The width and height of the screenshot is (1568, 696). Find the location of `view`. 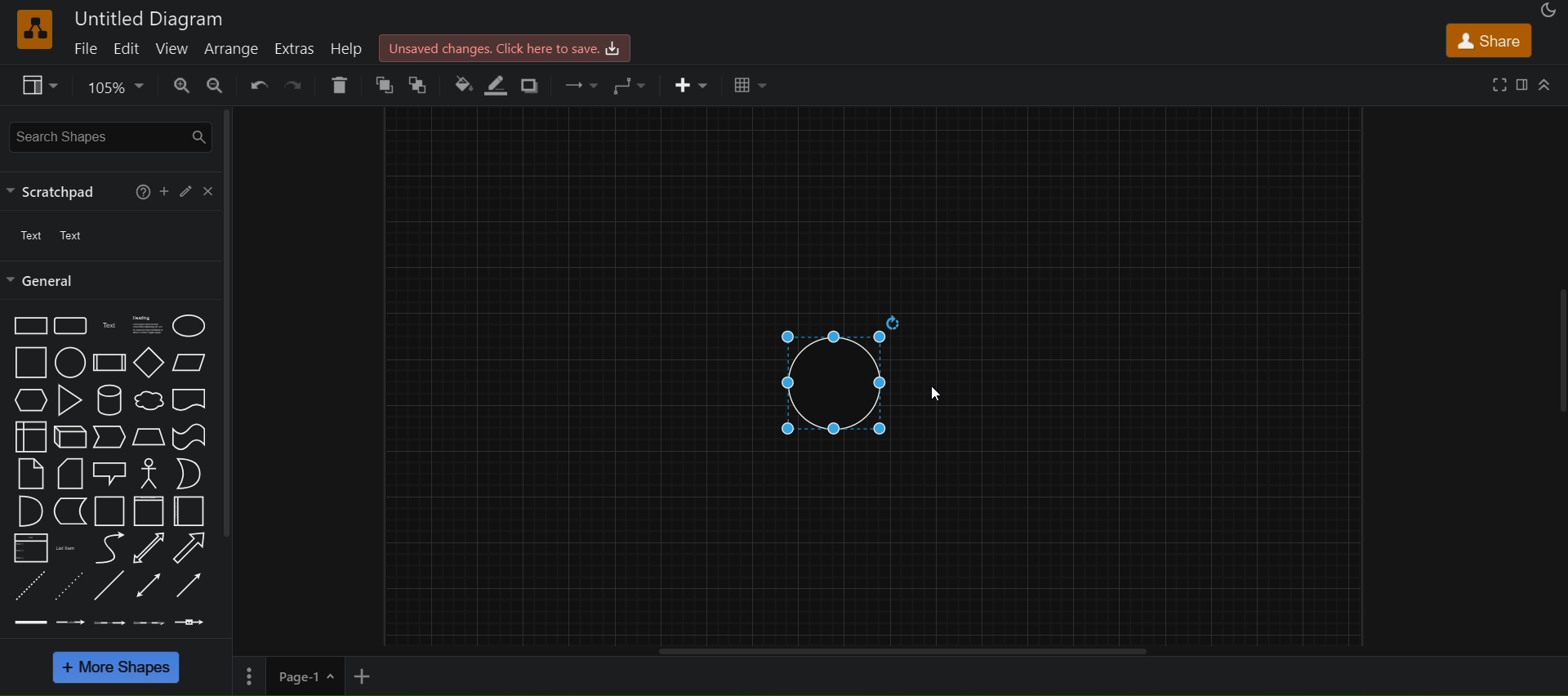

view is located at coordinates (173, 47).